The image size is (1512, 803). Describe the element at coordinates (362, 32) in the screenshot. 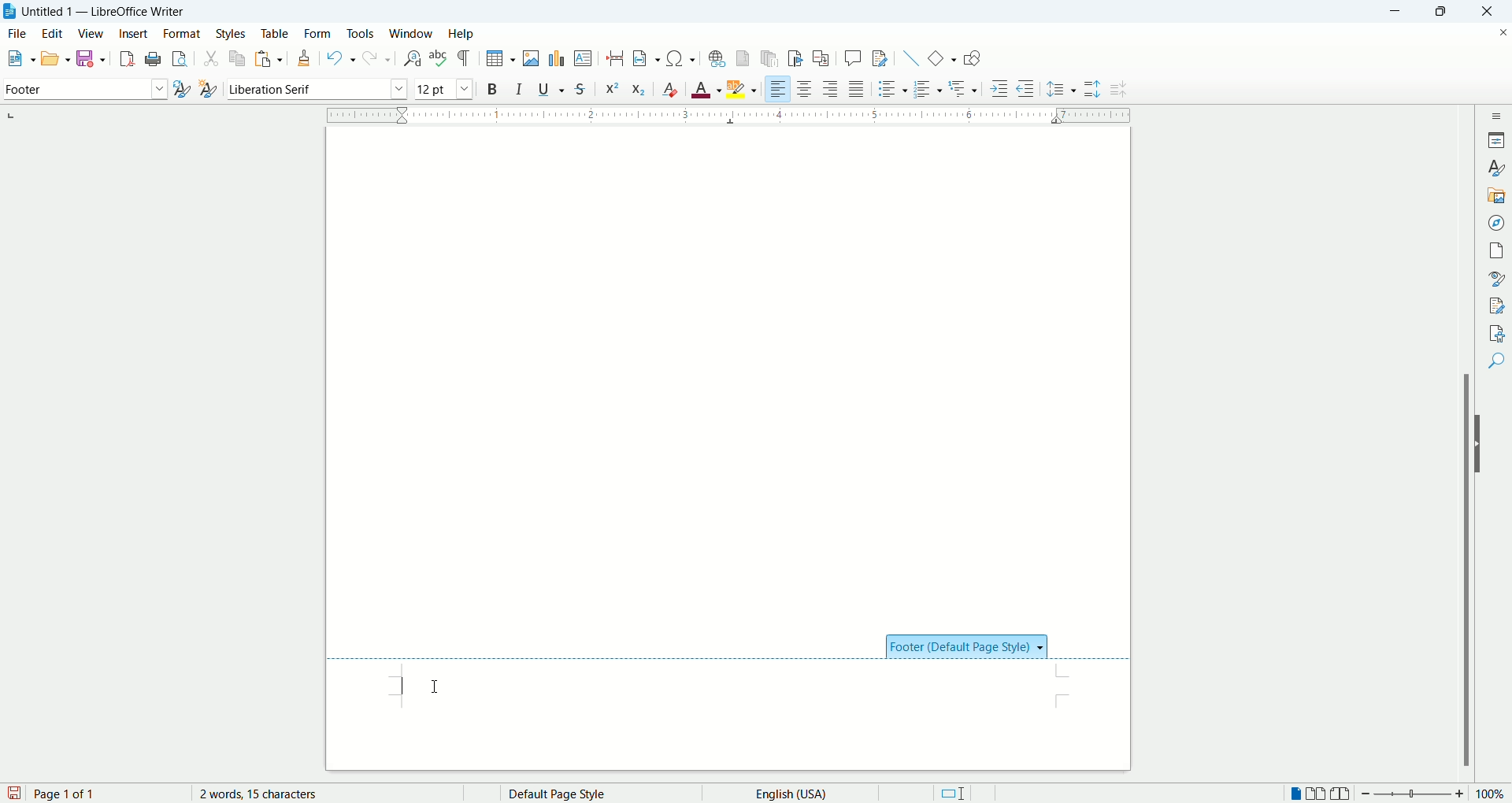

I see `tools` at that location.